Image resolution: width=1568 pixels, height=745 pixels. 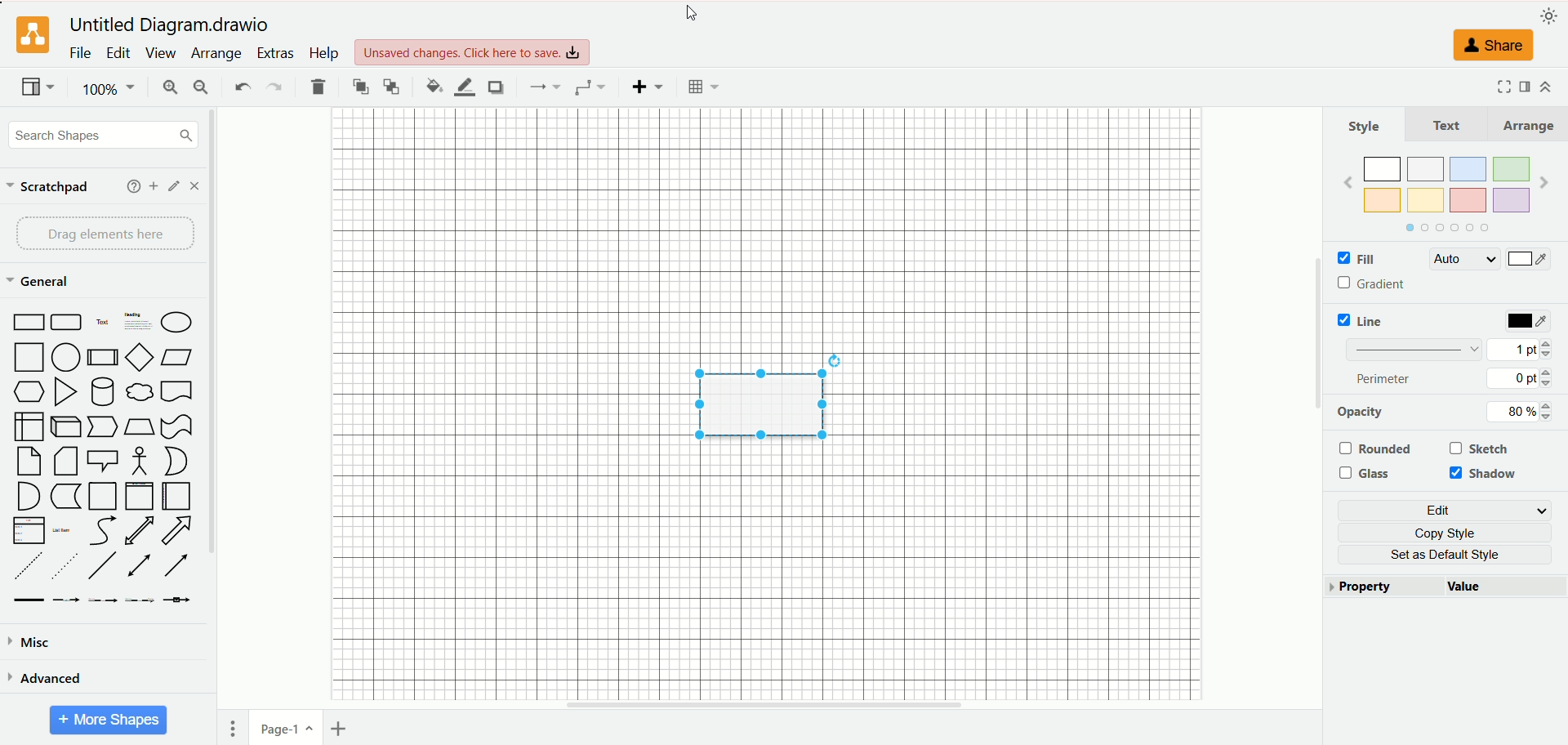 What do you see at coordinates (1506, 588) in the screenshot?
I see `value` at bounding box center [1506, 588].